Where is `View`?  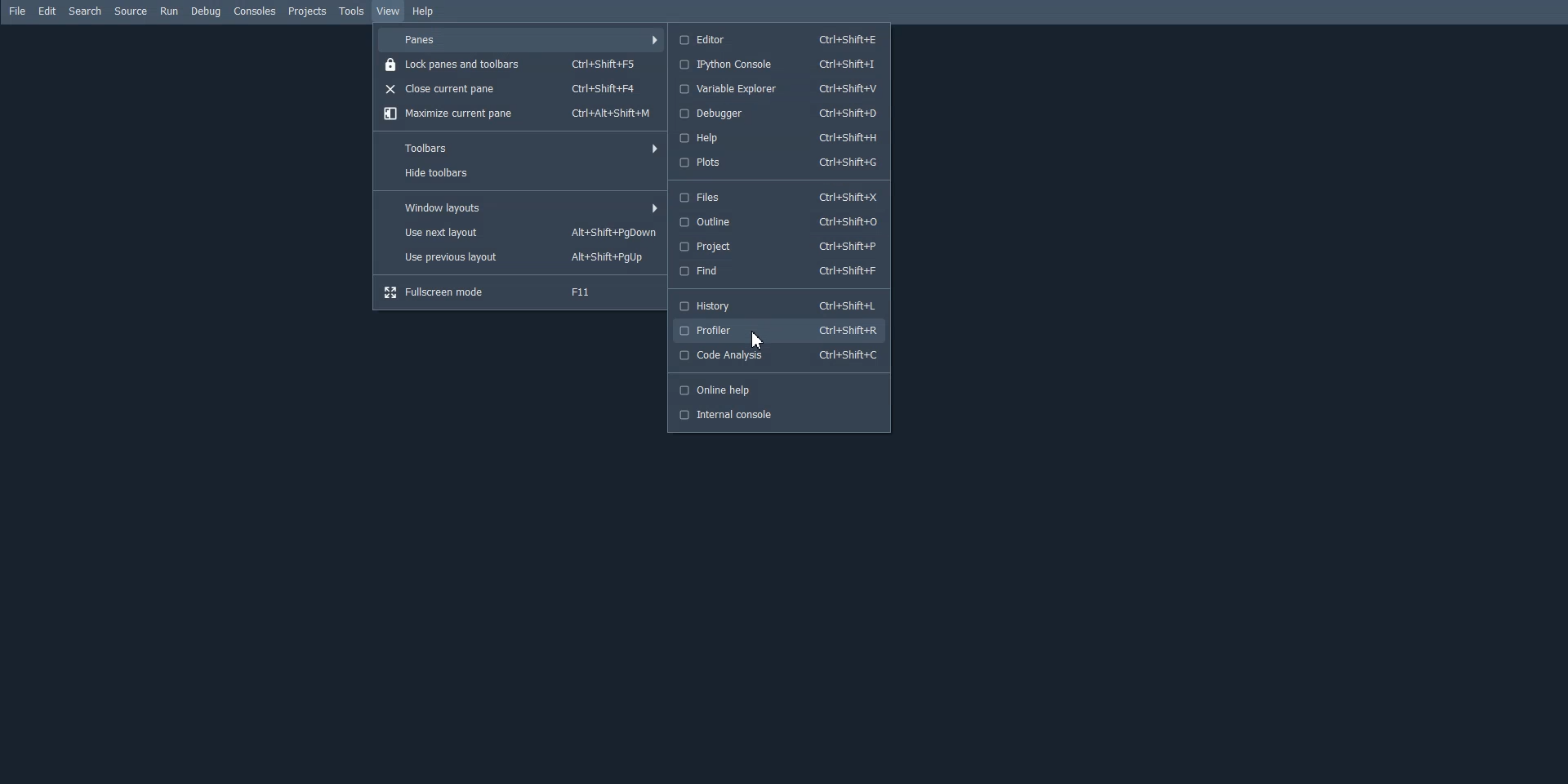
View is located at coordinates (389, 11).